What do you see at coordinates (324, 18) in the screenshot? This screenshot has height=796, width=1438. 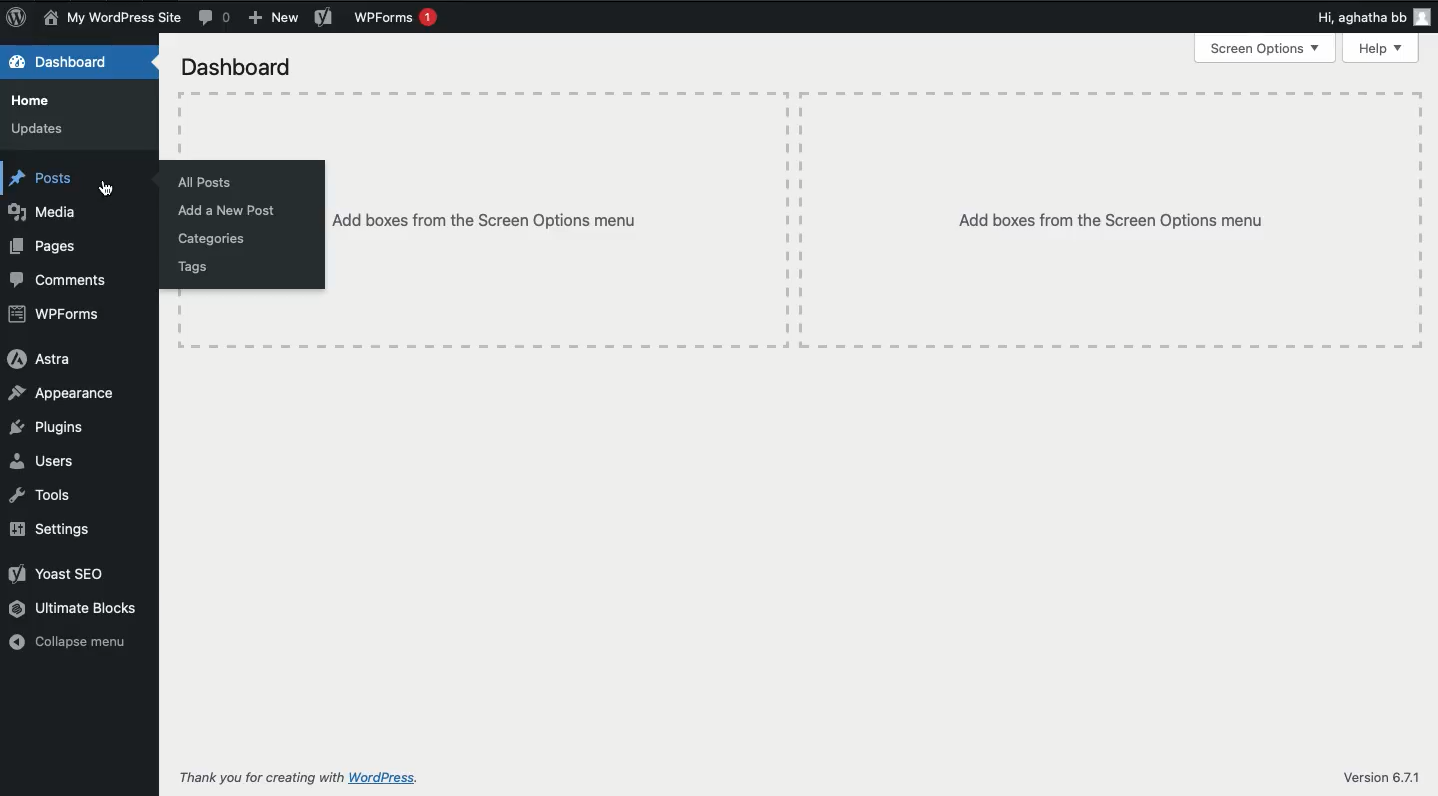 I see `Yoast` at bounding box center [324, 18].